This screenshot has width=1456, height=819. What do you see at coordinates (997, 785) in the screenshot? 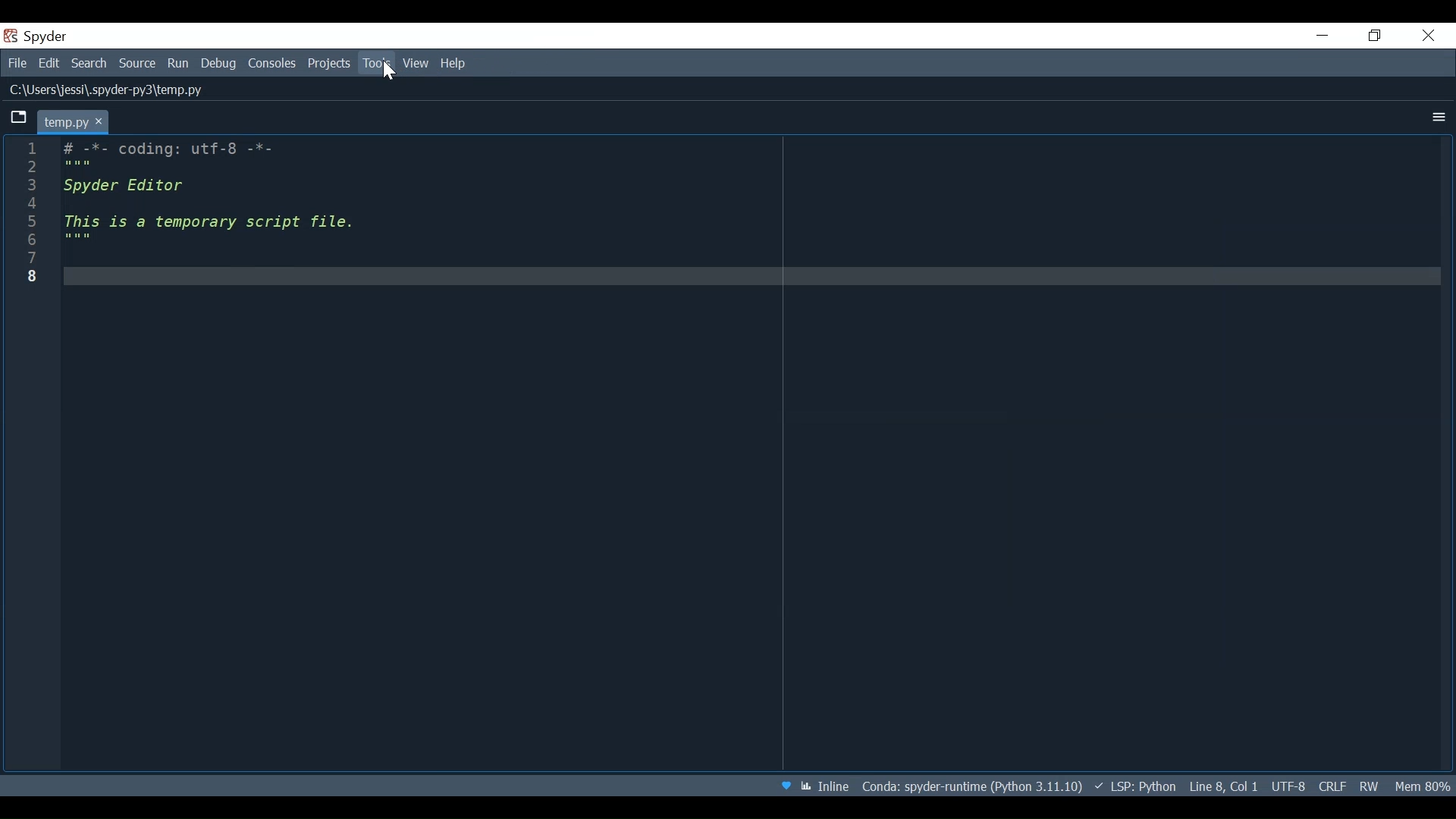
I see `Conda Environment Indicator` at bounding box center [997, 785].